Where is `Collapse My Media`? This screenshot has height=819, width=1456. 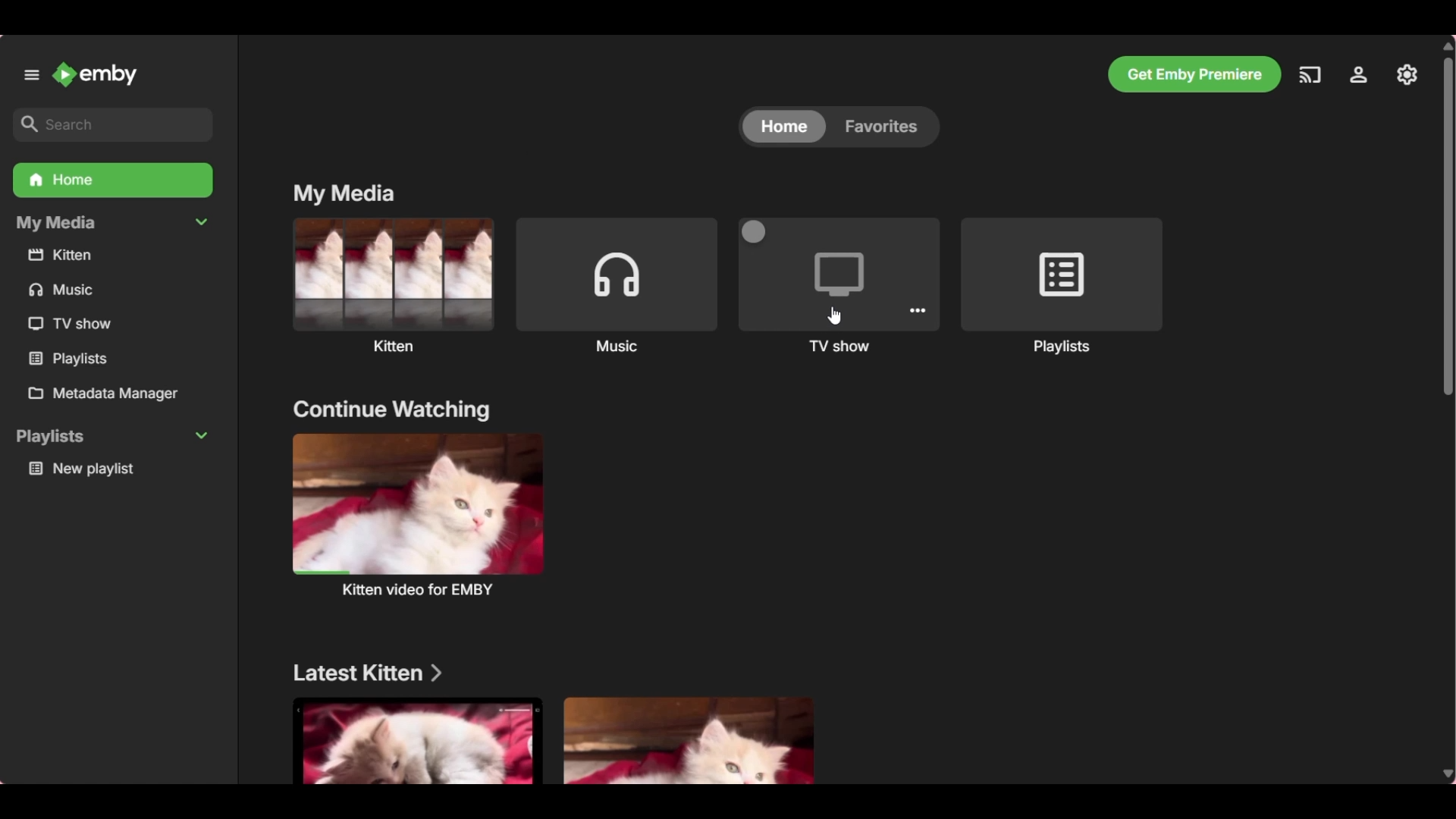
Collapse My Media is located at coordinates (113, 224).